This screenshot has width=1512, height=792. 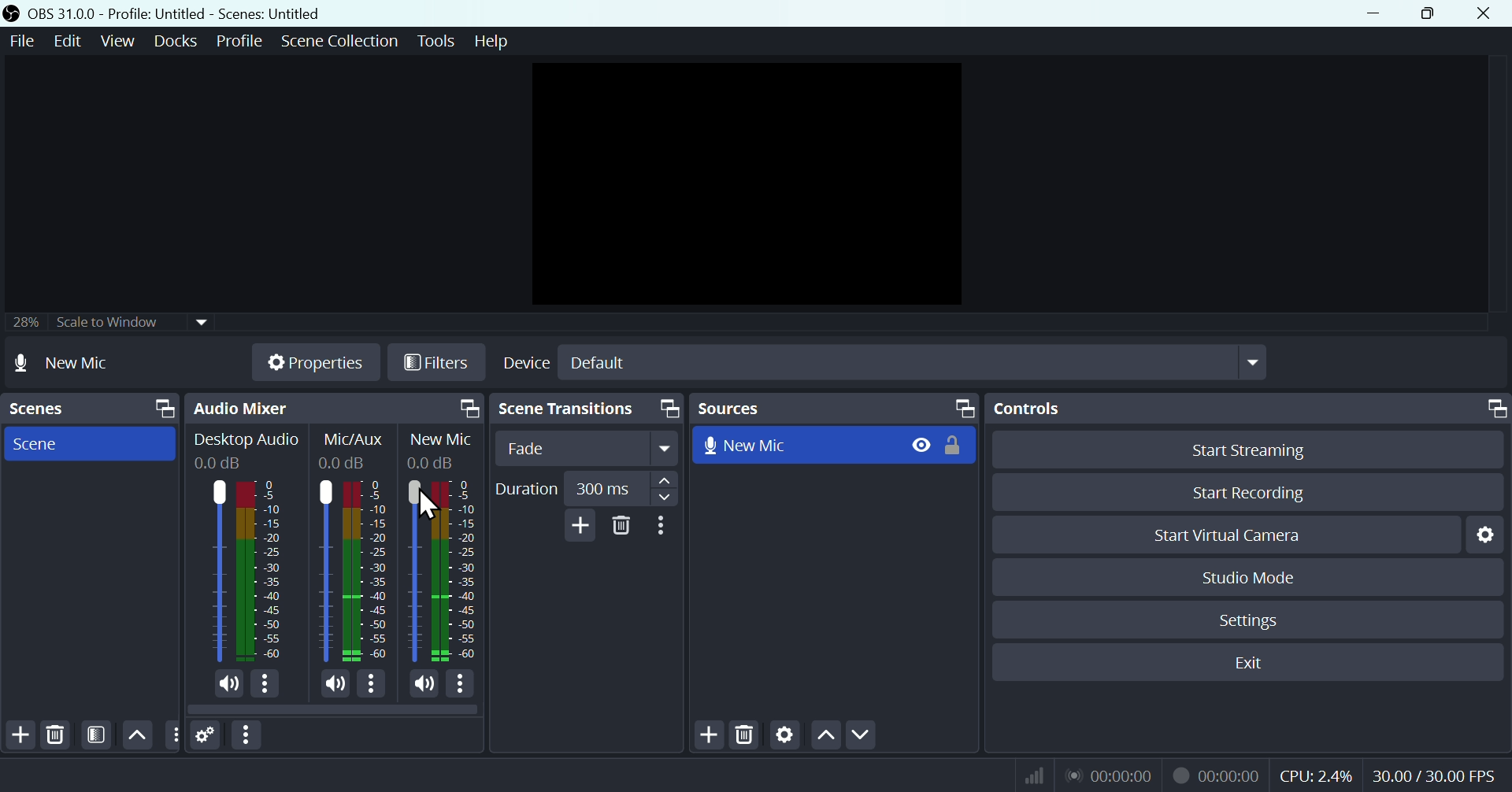 I want to click on Sources, so click(x=834, y=408).